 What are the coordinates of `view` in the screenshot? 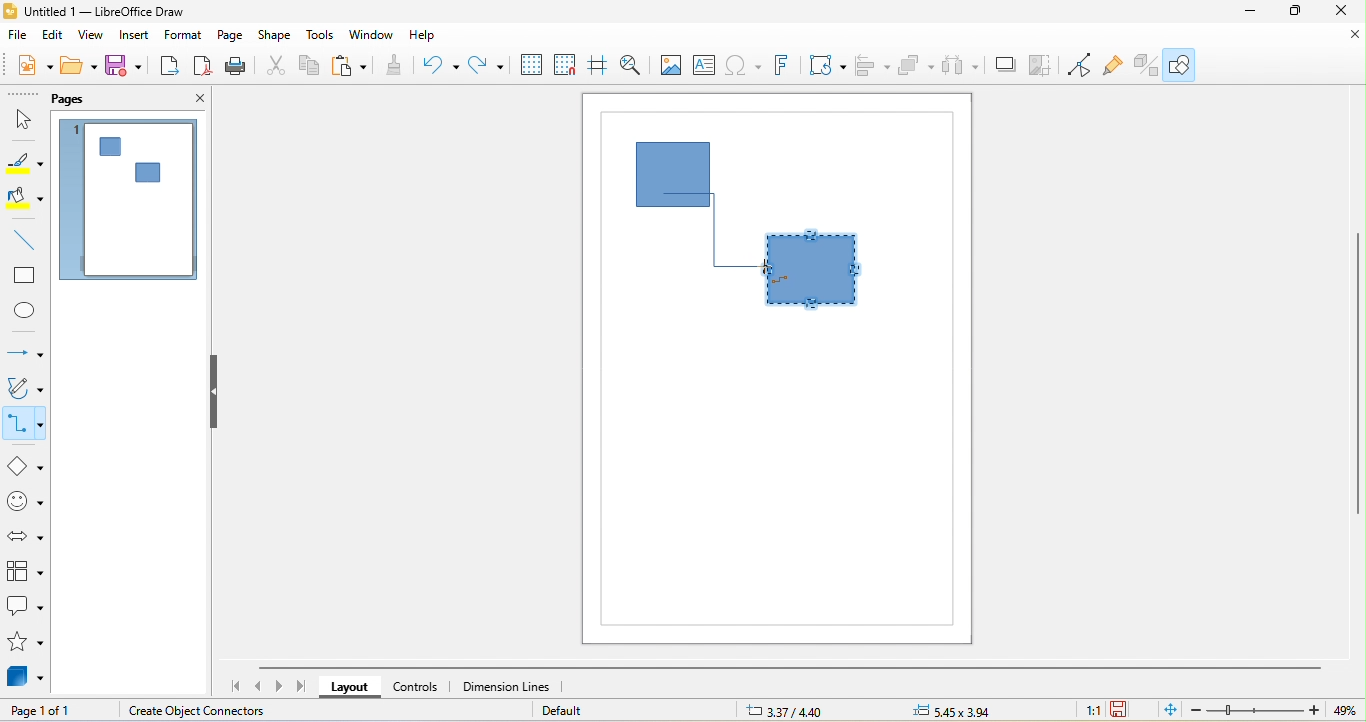 It's located at (92, 36).